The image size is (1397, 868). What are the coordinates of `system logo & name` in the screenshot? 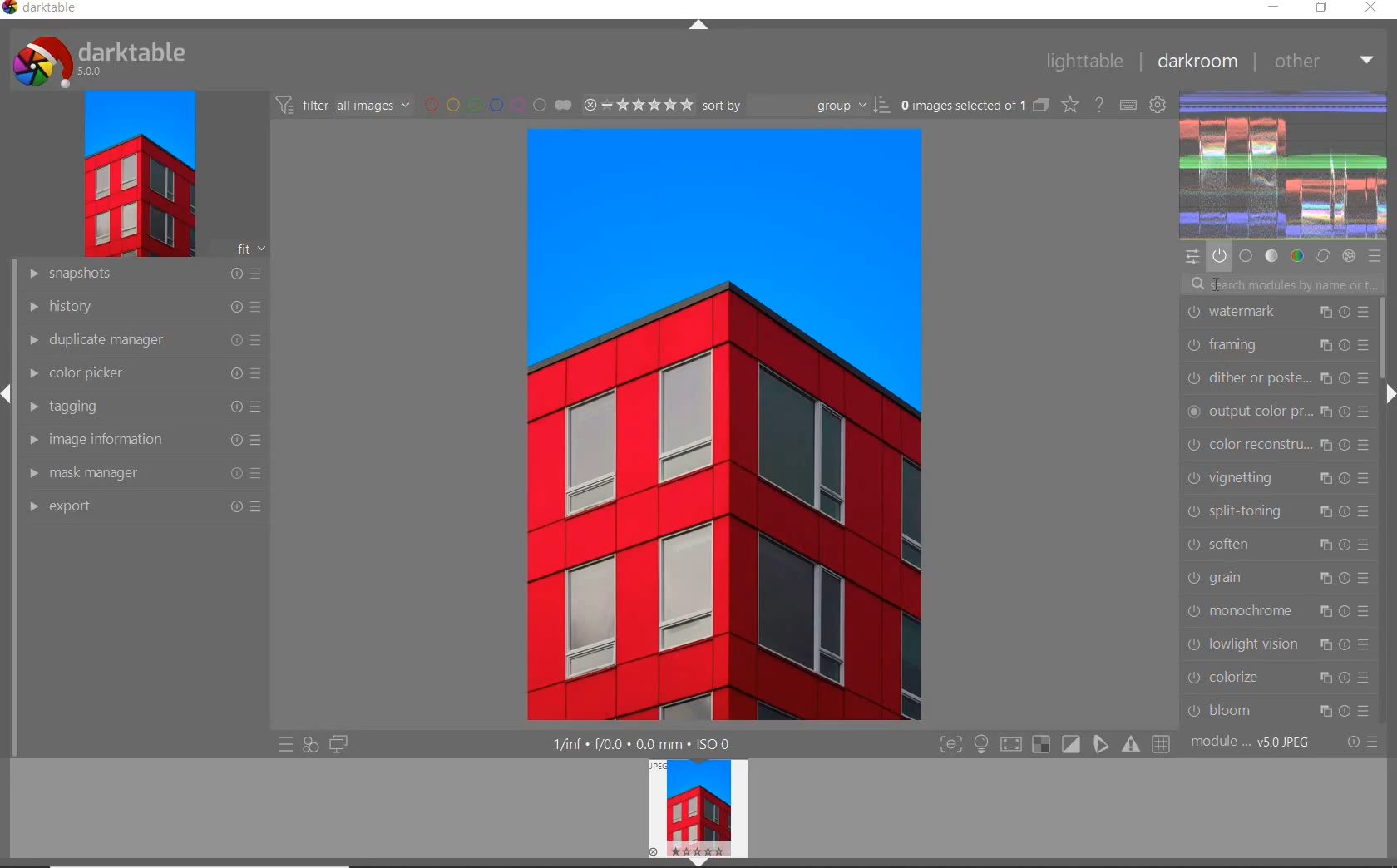 It's located at (102, 61).